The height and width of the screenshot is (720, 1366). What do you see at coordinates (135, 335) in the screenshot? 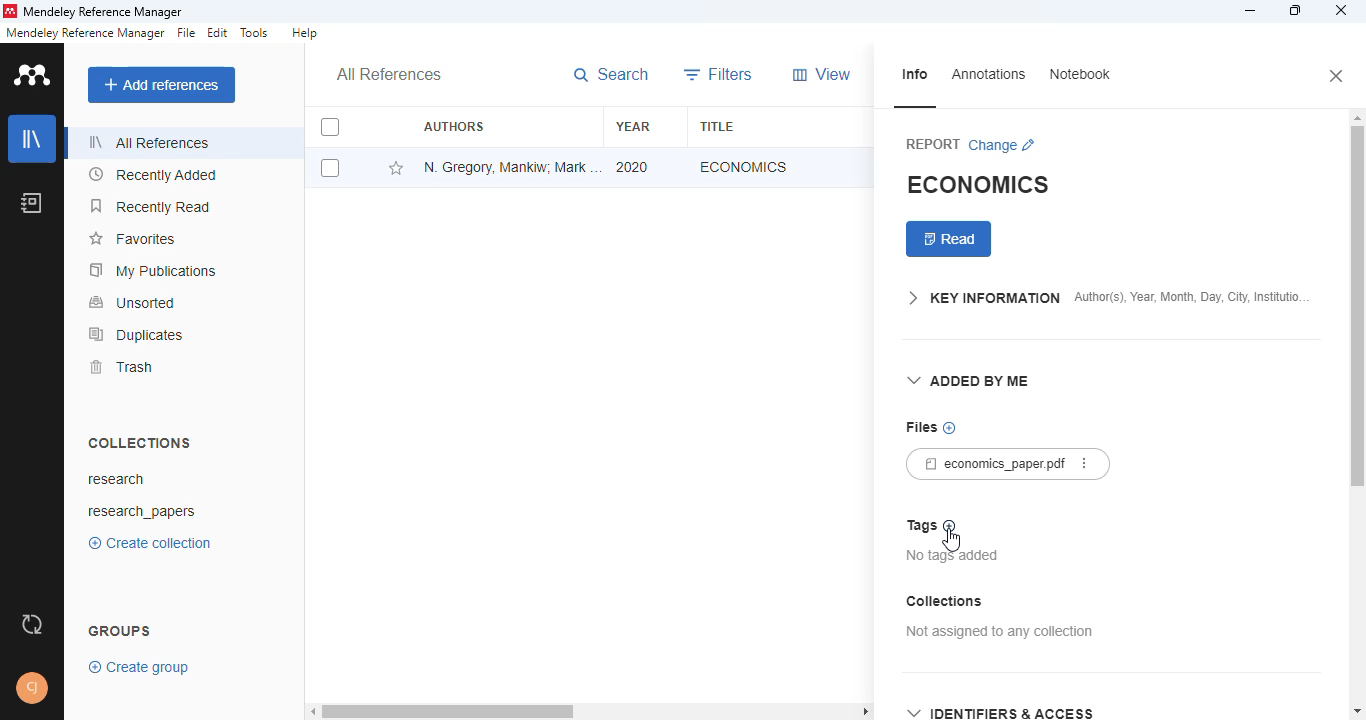
I see `duplicates` at bounding box center [135, 335].